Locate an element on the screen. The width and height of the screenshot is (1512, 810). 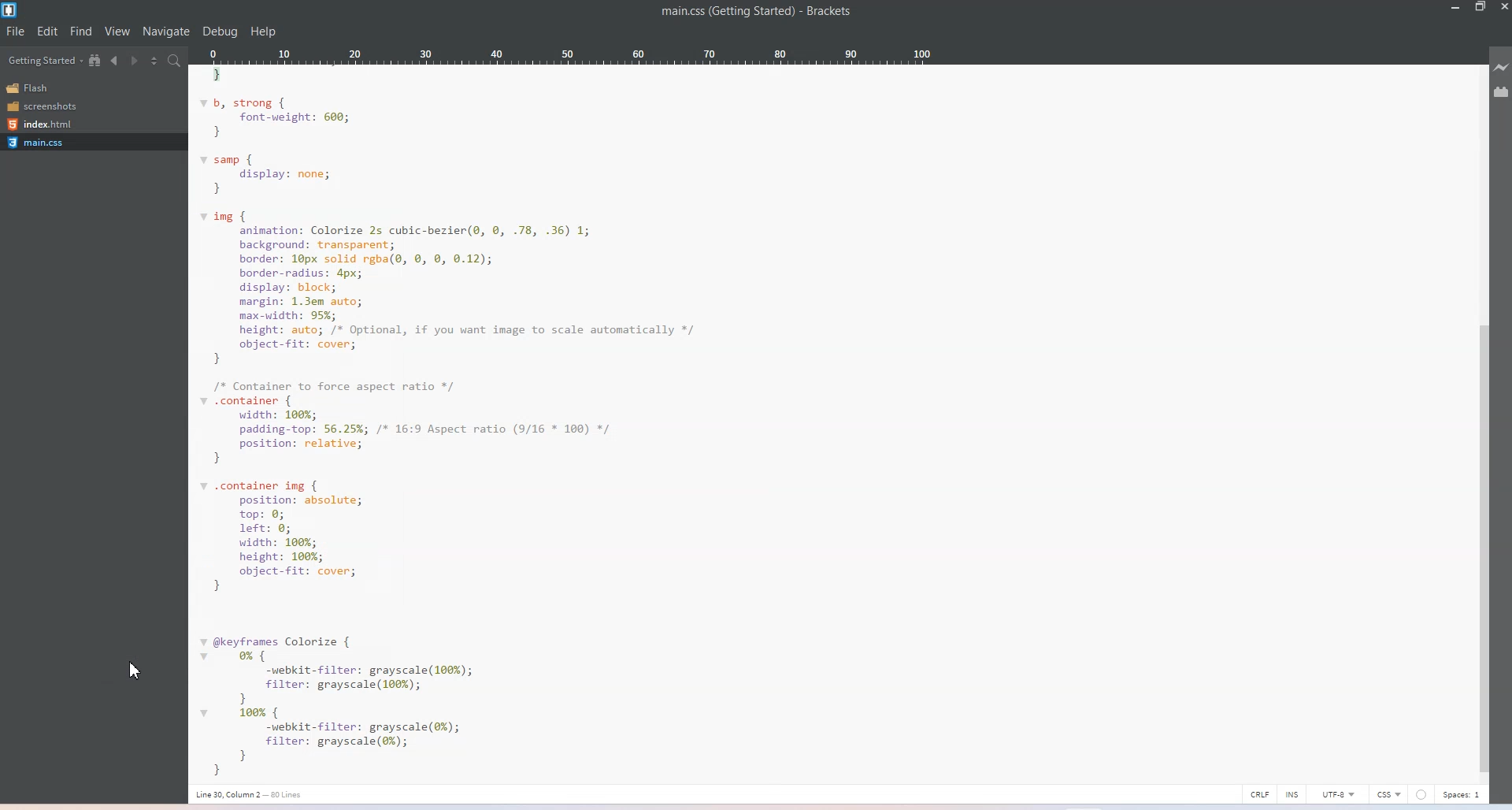
Screenshots is located at coordinates (47, 106).